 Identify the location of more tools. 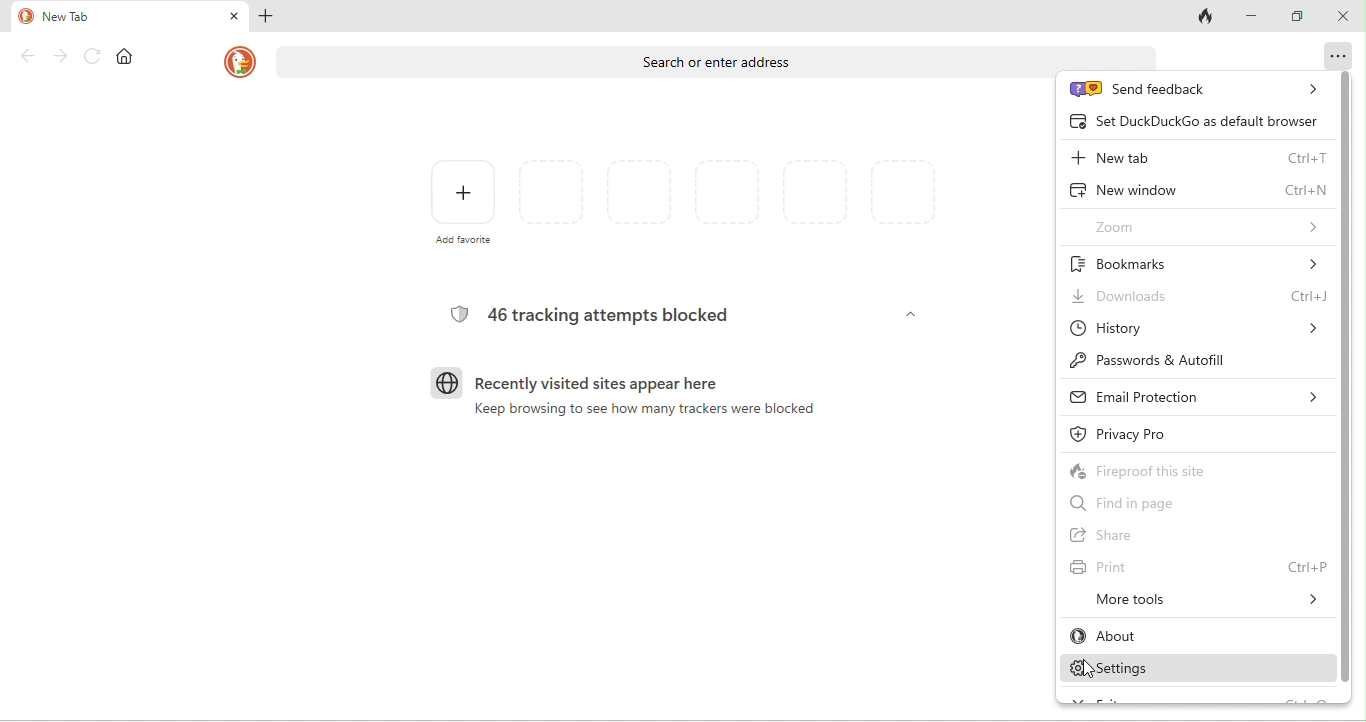
(1194, 601).